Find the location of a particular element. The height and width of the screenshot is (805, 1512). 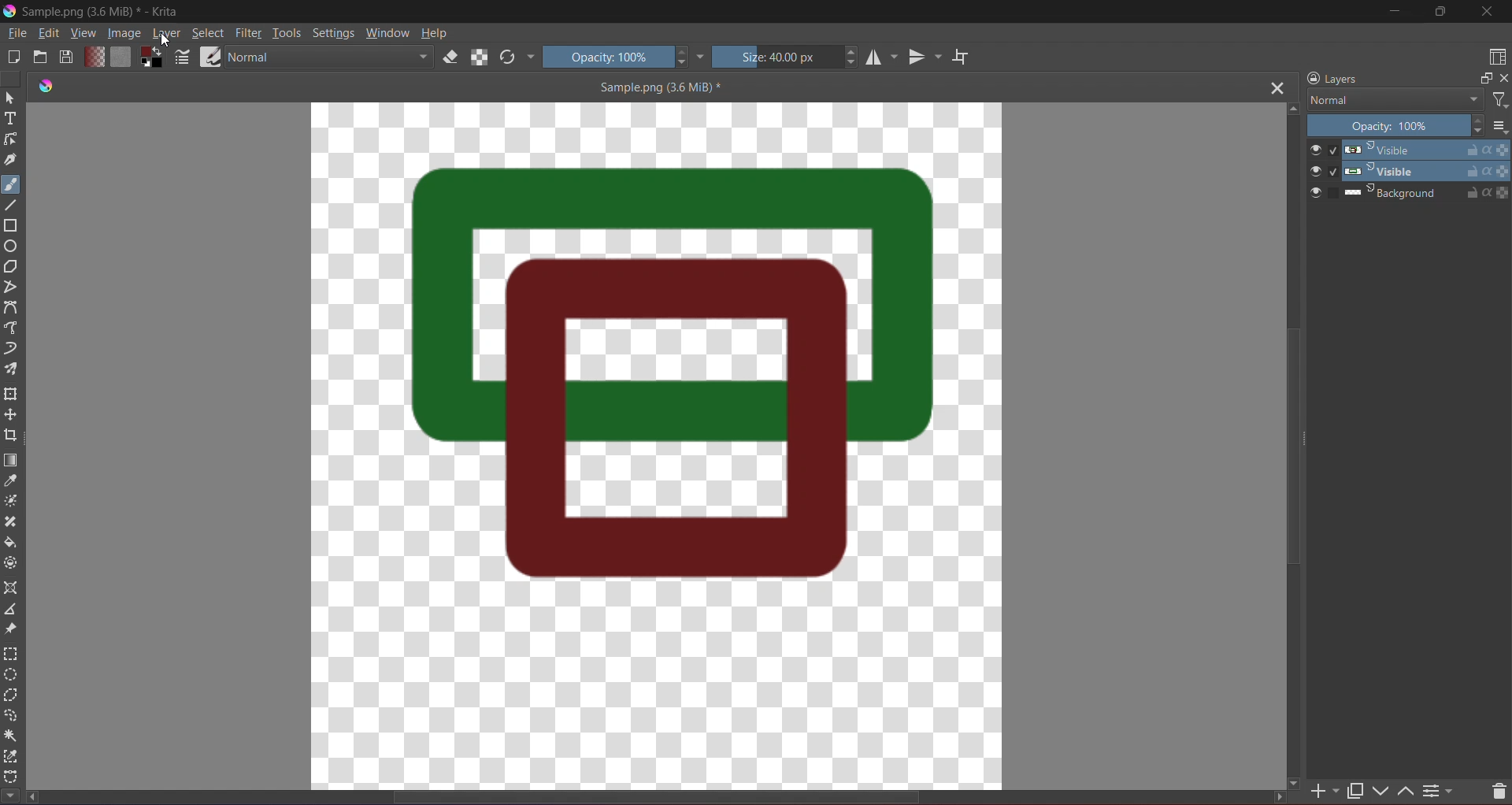

Mask Up is located at coordinates (1404, 788).